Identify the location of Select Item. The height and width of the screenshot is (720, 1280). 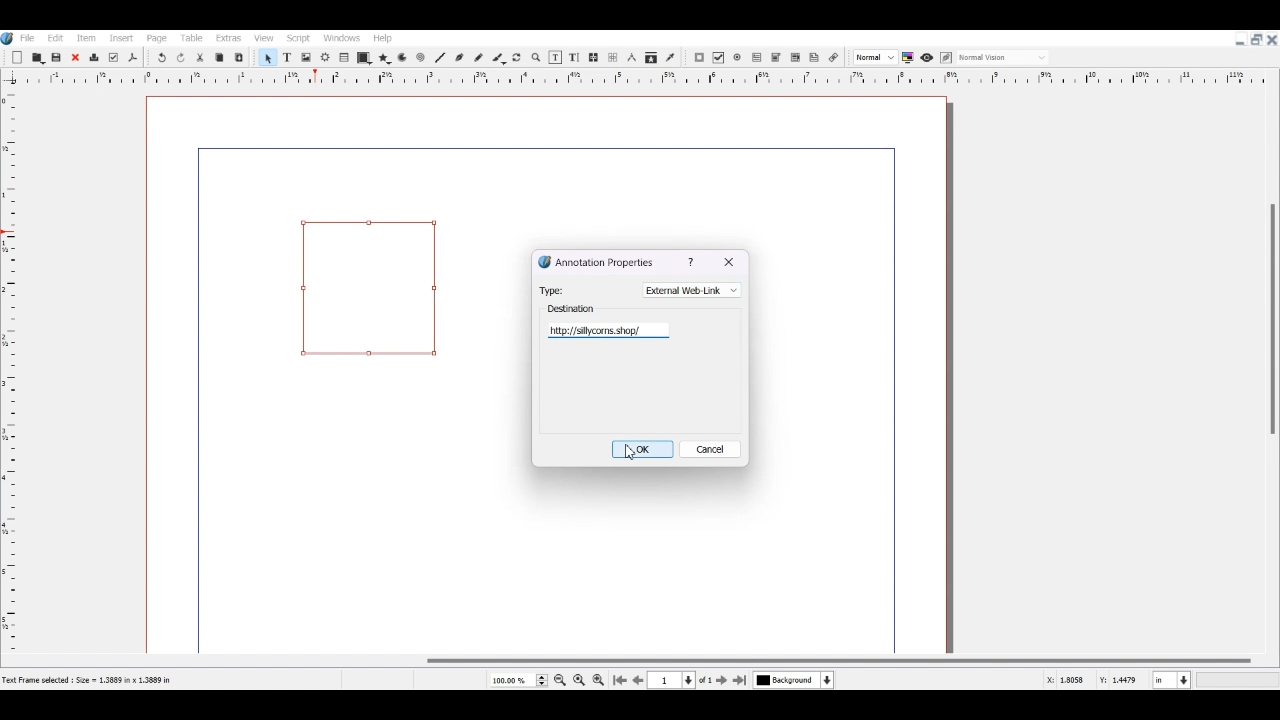
(267, 57).